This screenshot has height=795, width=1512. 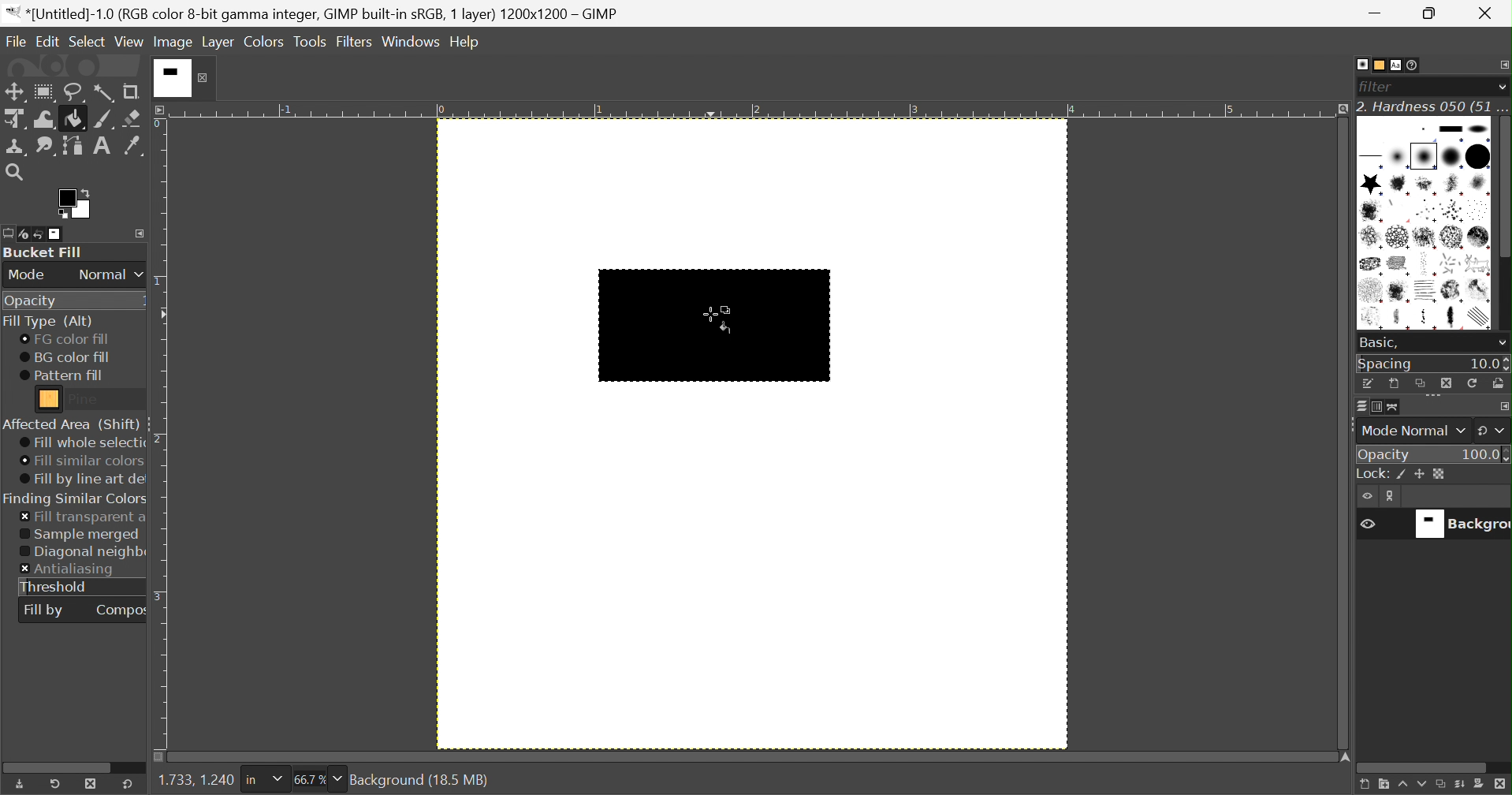 I want to click on 2, so click(x=160, y=439).